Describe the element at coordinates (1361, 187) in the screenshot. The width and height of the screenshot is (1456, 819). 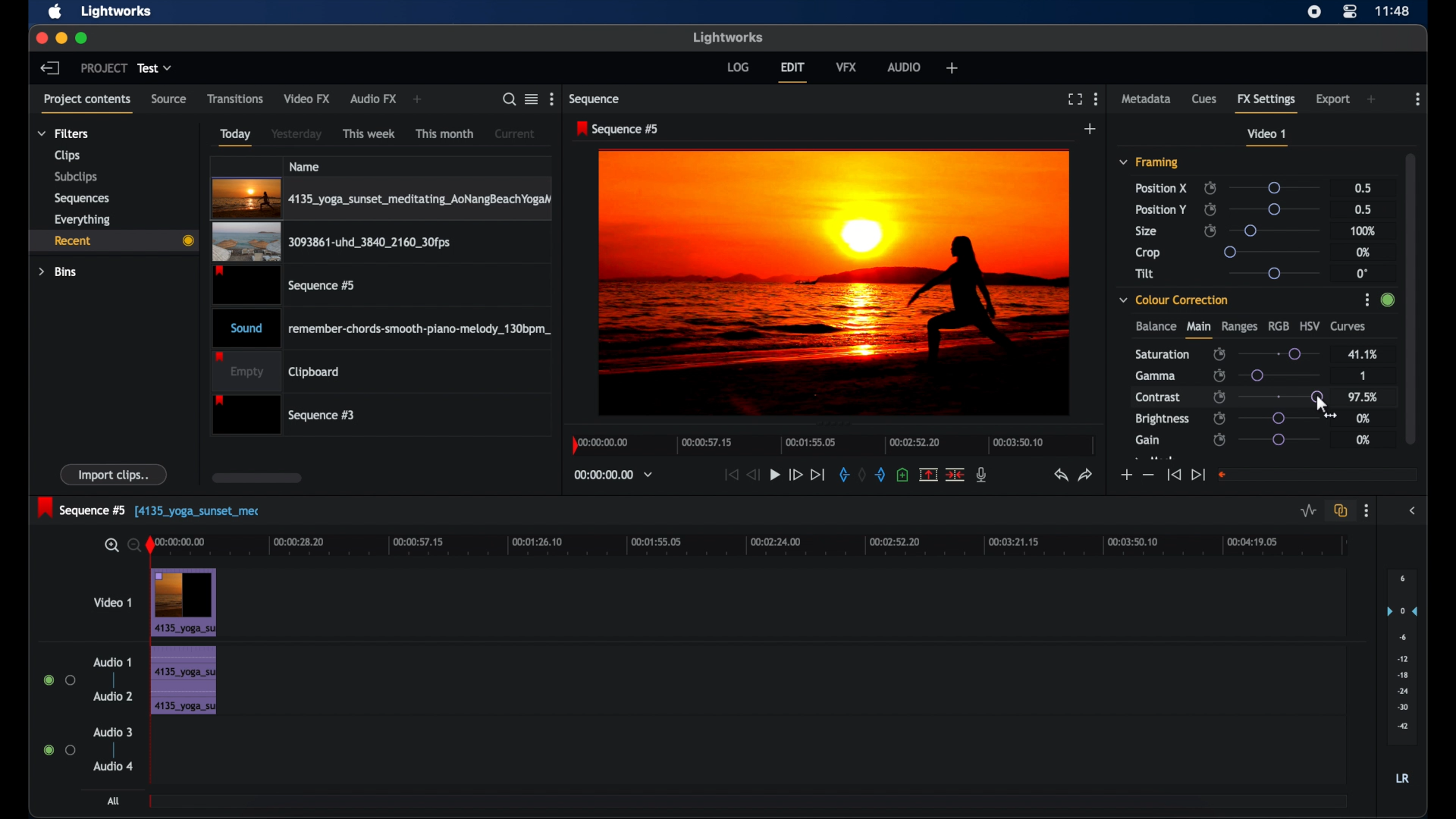
I see `0.5` at that location.